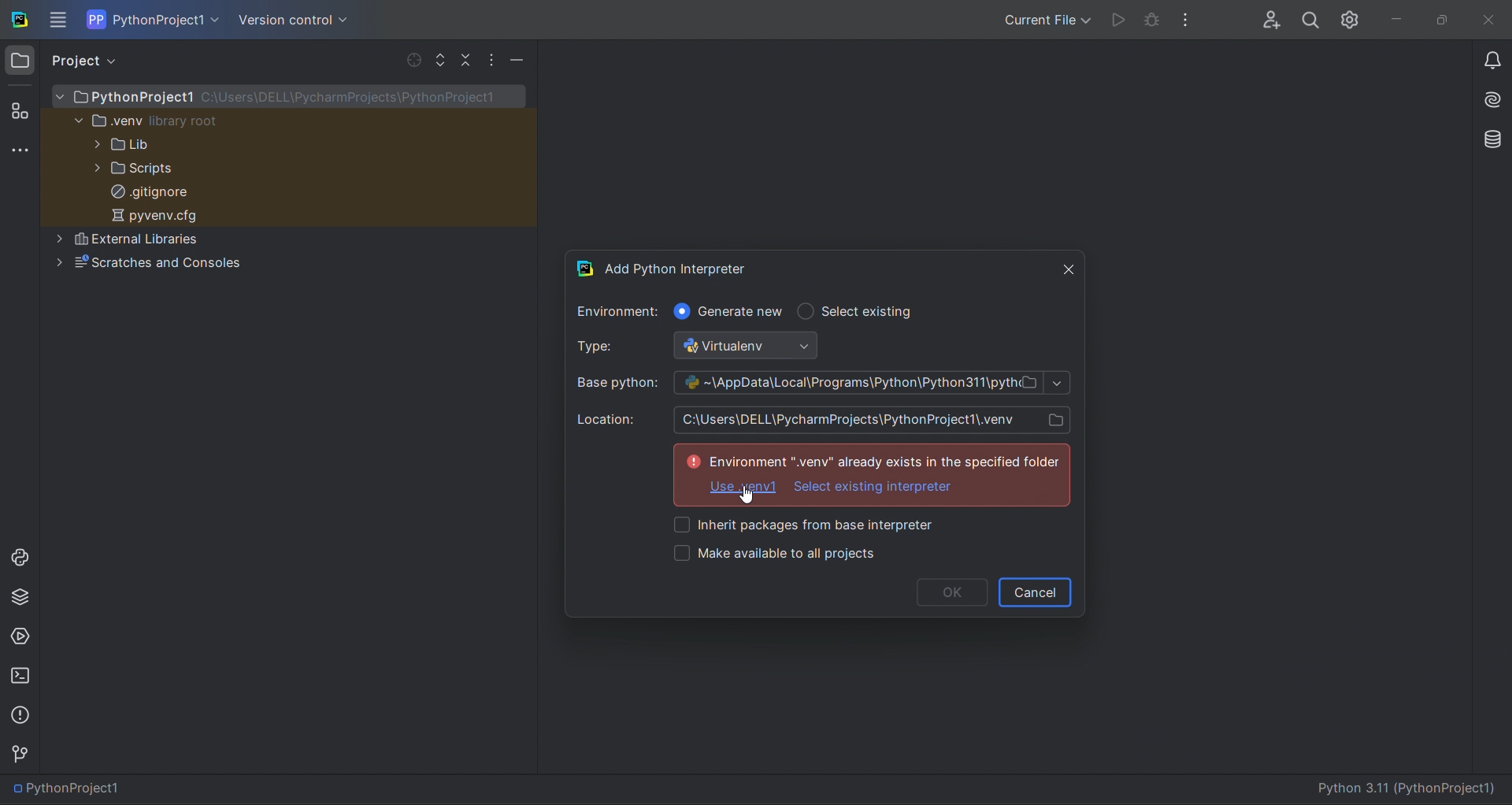 The height and width of the screenshot is (805, 1512). What do you see at coordinates (442, 57) in the screenshot?
I see `expand file` at bounding box center [442, 57].